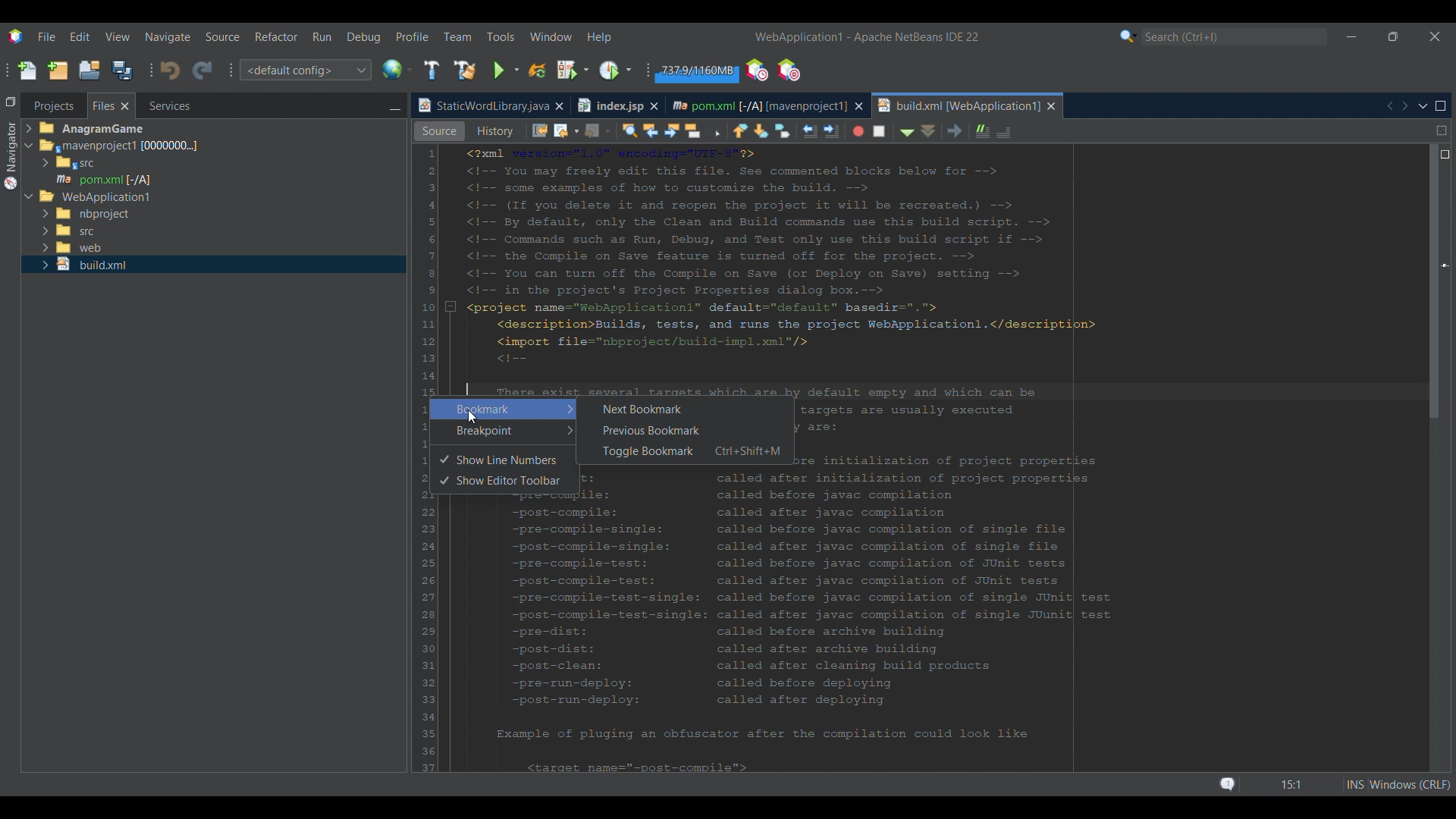  Describe the element at coordinates (433, 403) in the screenshot. I see `Cursor right clicking` at that location.